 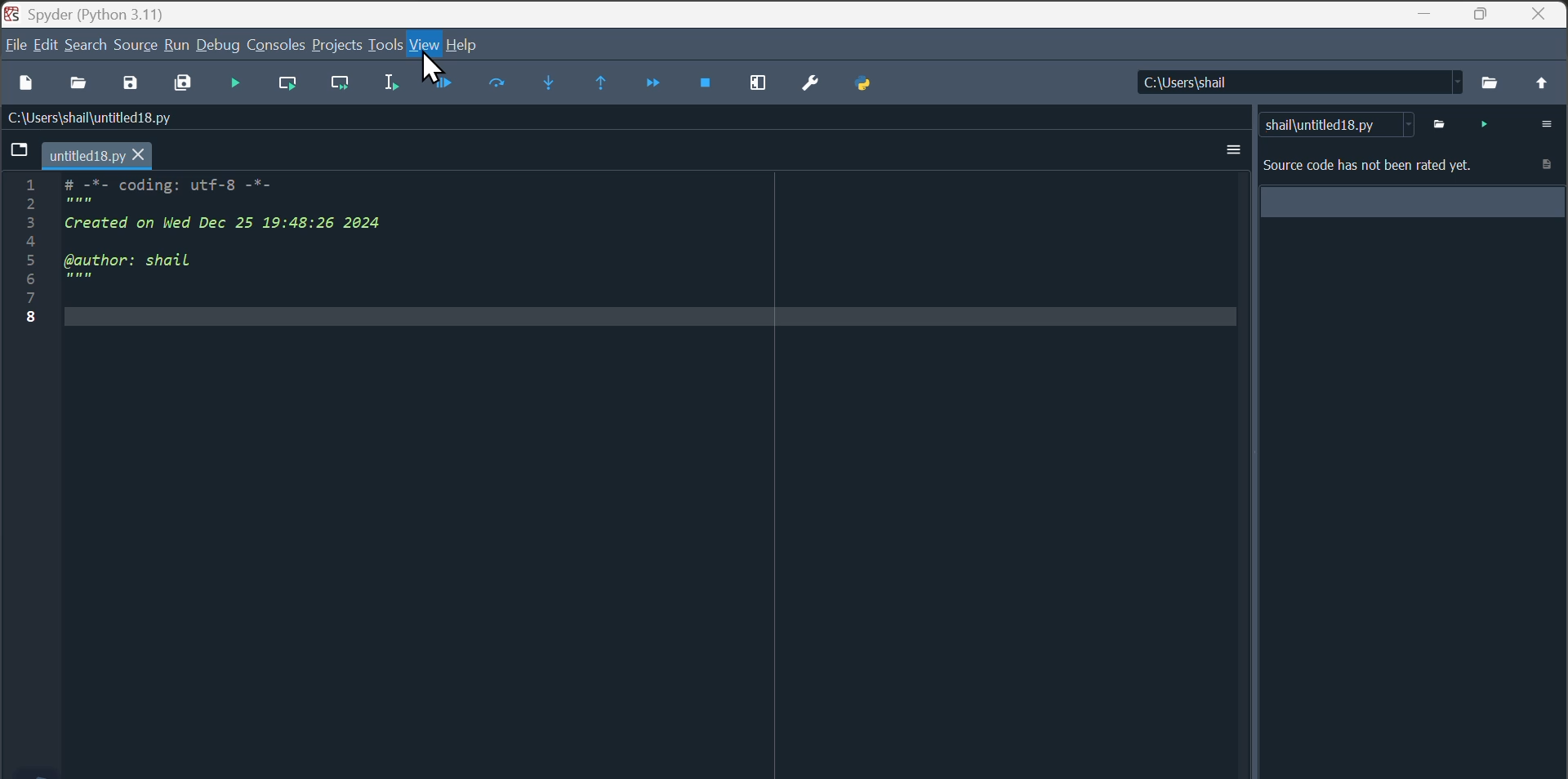 I want to click on Run File, so click(x=293, y=84).